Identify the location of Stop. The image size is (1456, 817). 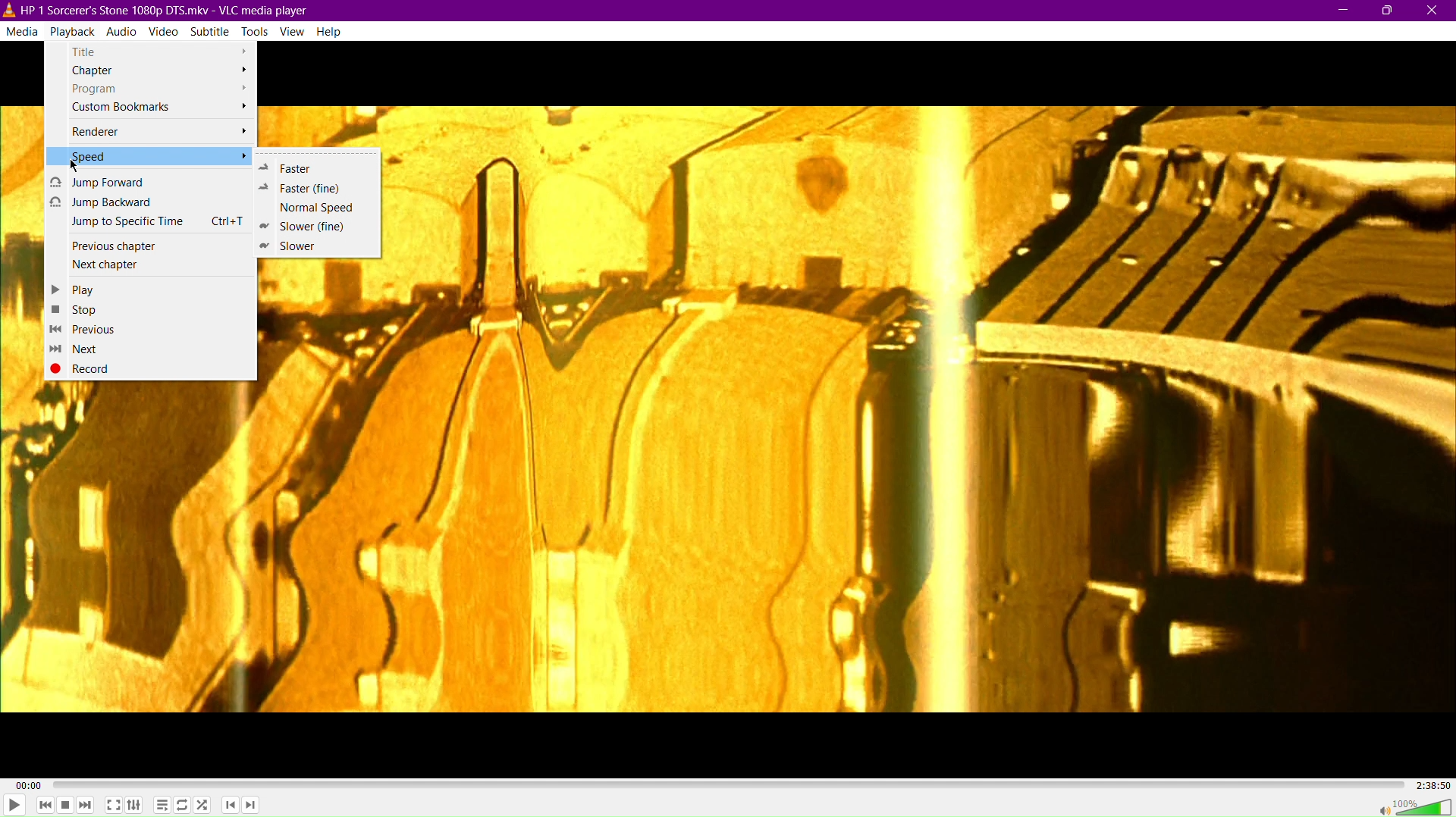
(78, 308).